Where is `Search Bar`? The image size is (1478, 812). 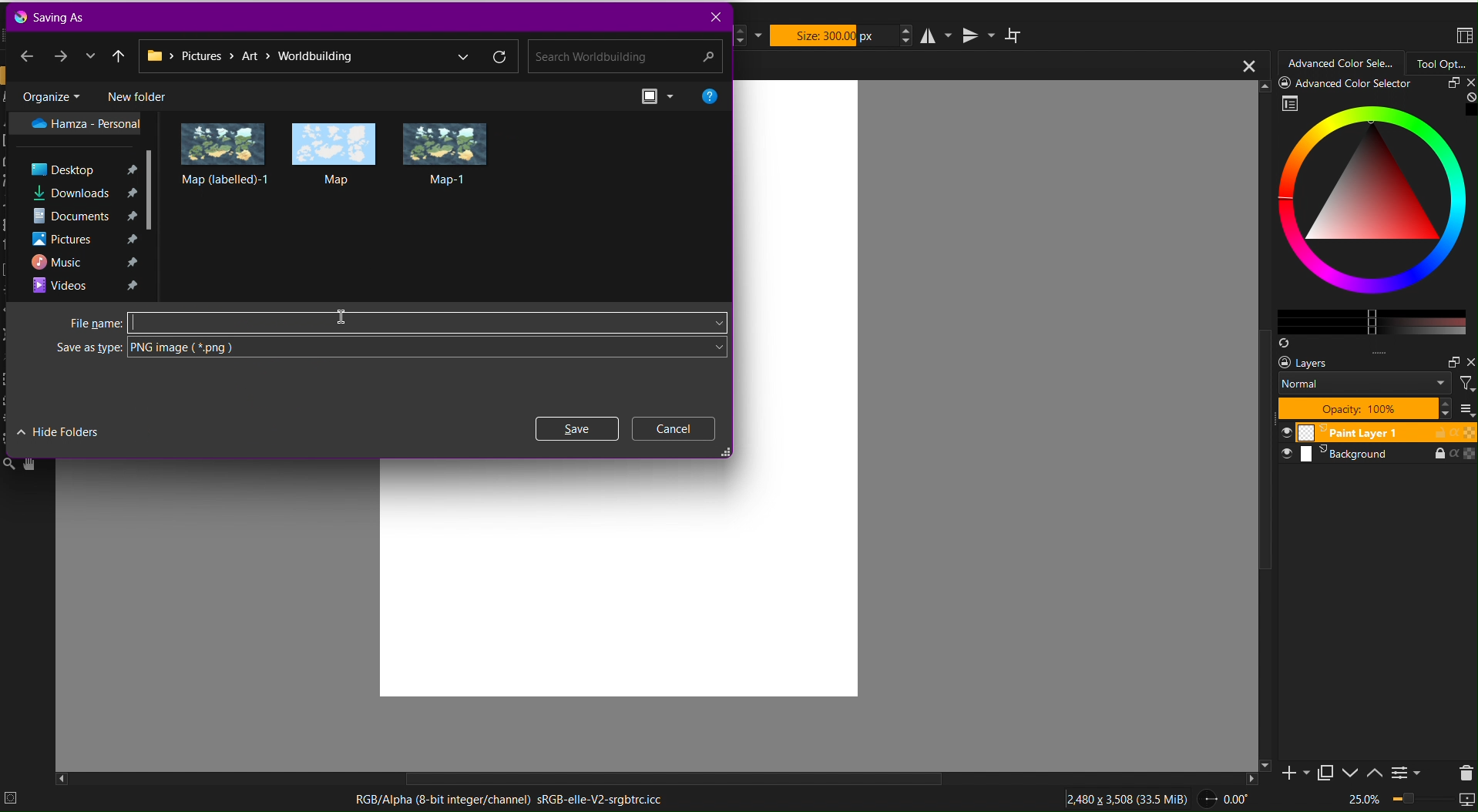
Search Bar is located at coordinates (622, 57).